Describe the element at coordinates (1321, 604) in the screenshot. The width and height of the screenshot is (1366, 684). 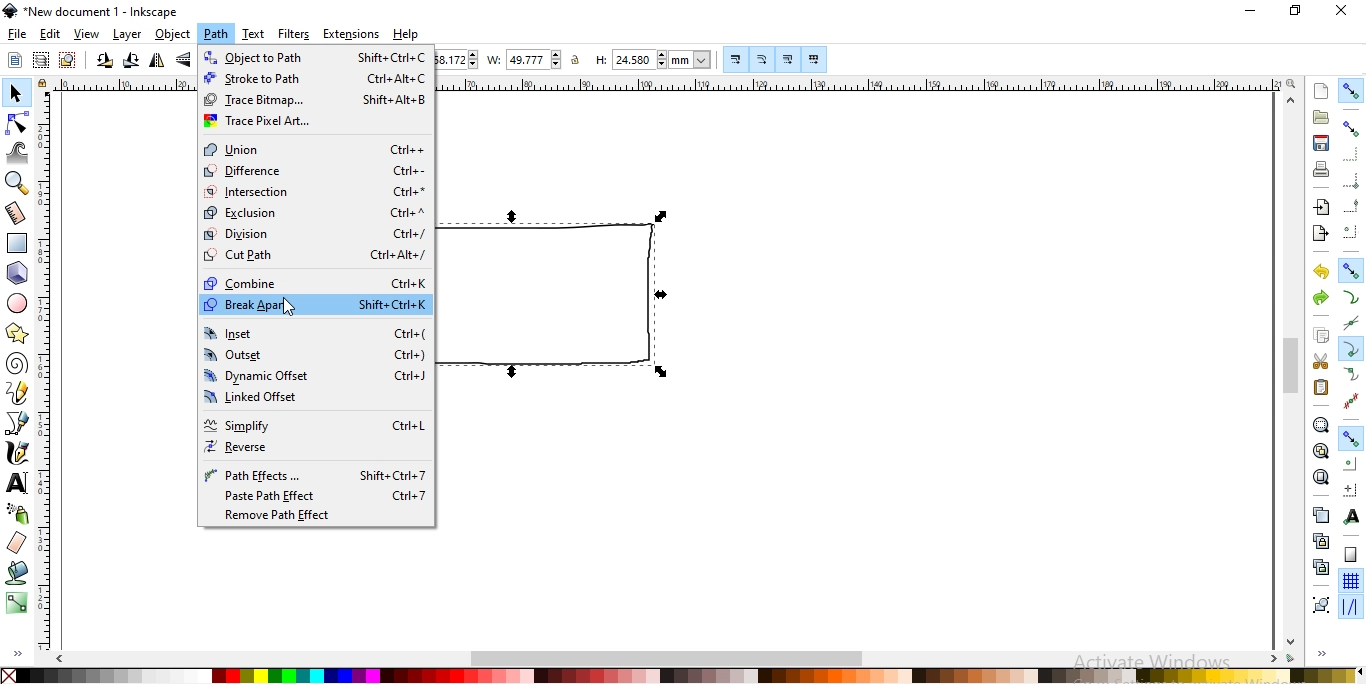
I see `group objects` at that location.